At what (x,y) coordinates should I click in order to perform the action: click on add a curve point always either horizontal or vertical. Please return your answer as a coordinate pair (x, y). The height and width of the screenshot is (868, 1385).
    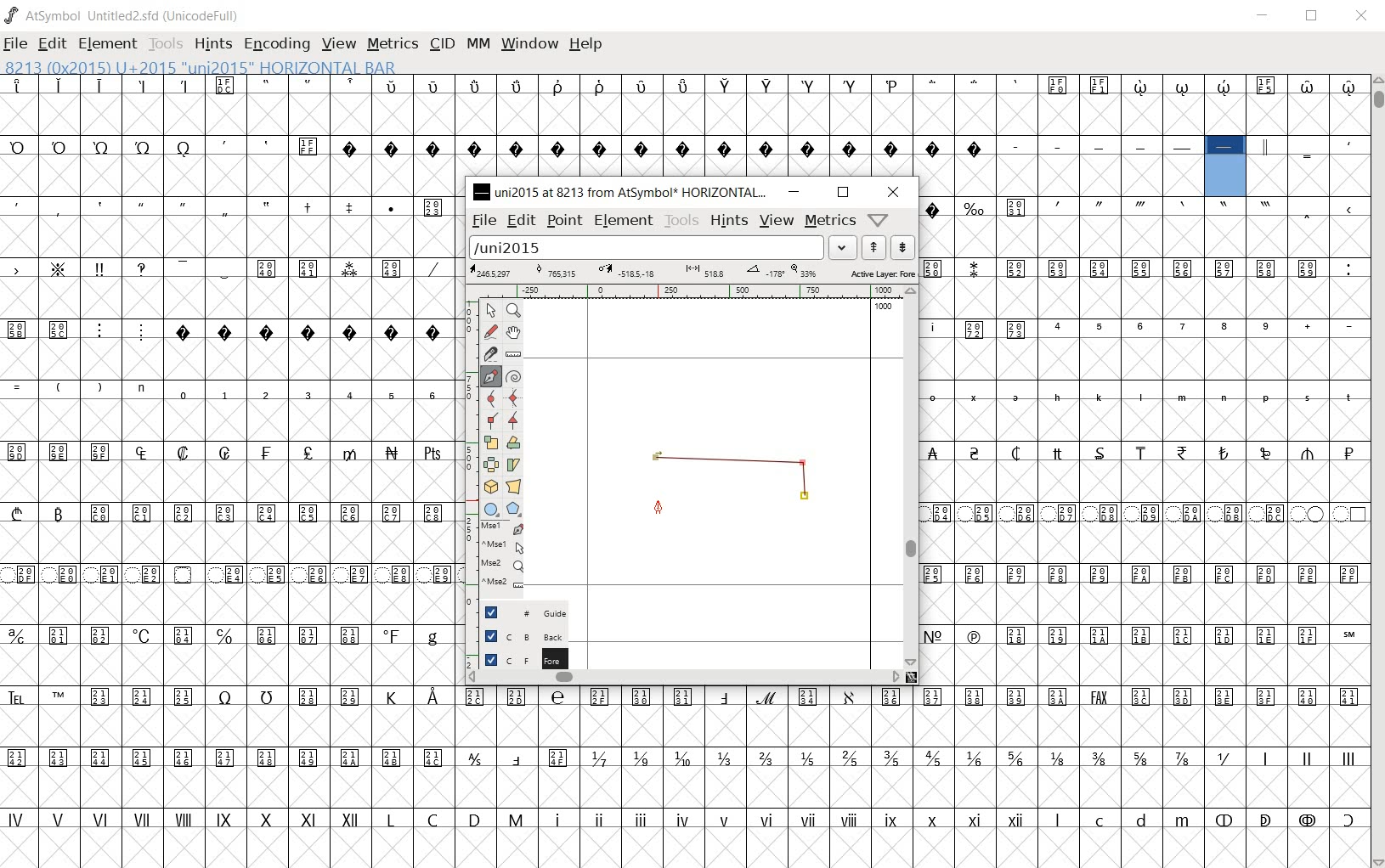
    Looking at the image, I should click on (512, 398).